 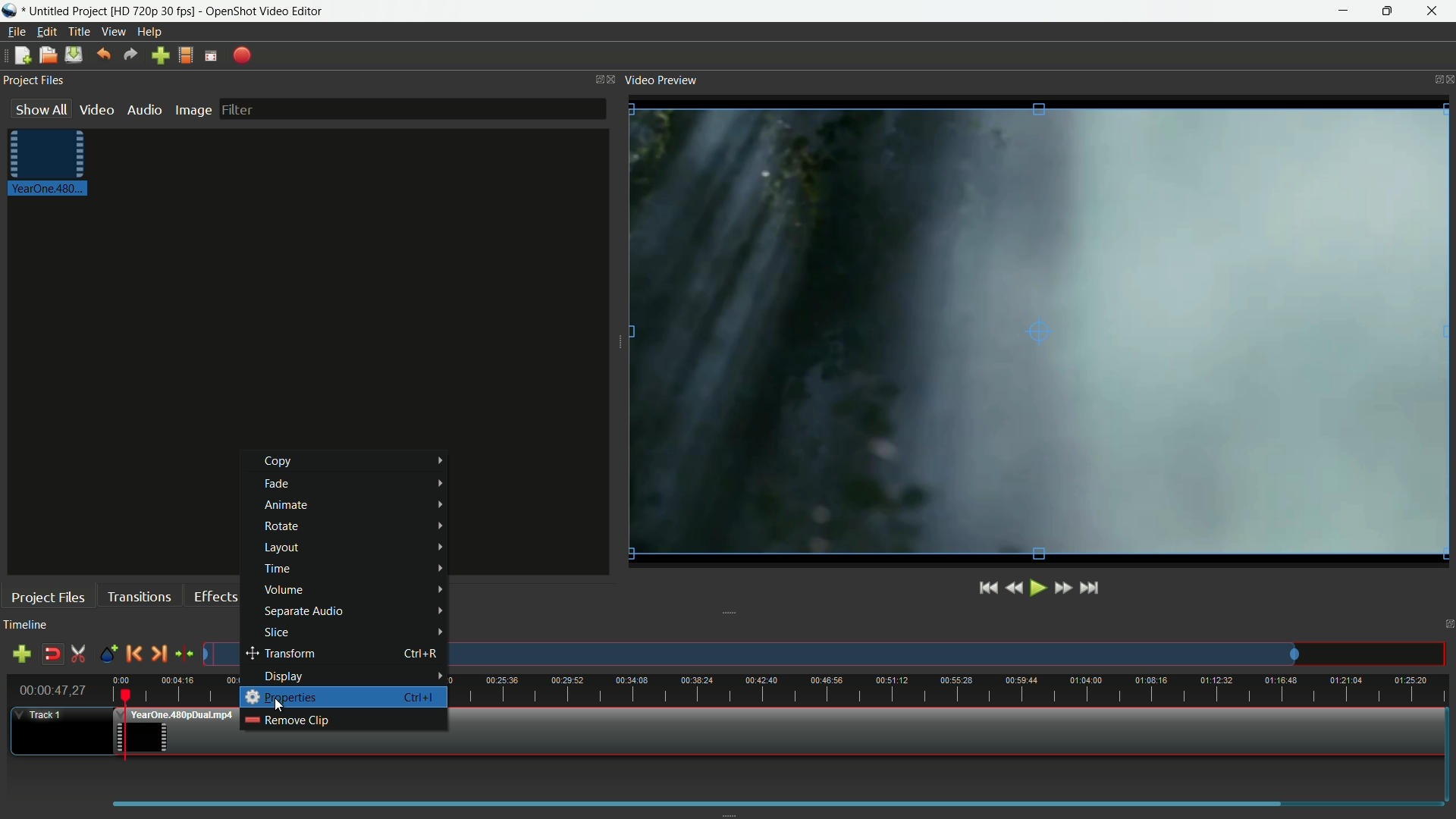 What do you see at coordinates (212, 55) in the screenshot?
I see `full screen` at bounding box center [212, 55].